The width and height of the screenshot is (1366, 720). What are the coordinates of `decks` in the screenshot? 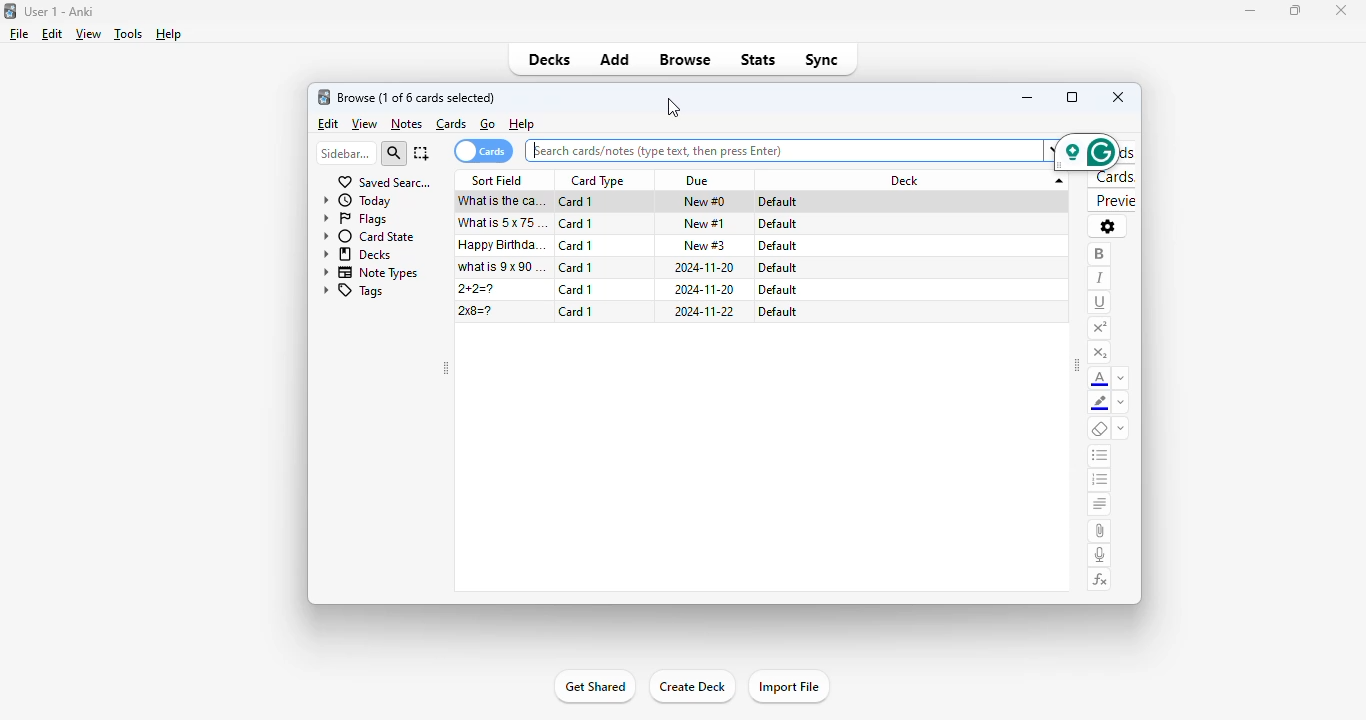 It's located at (358, 255).